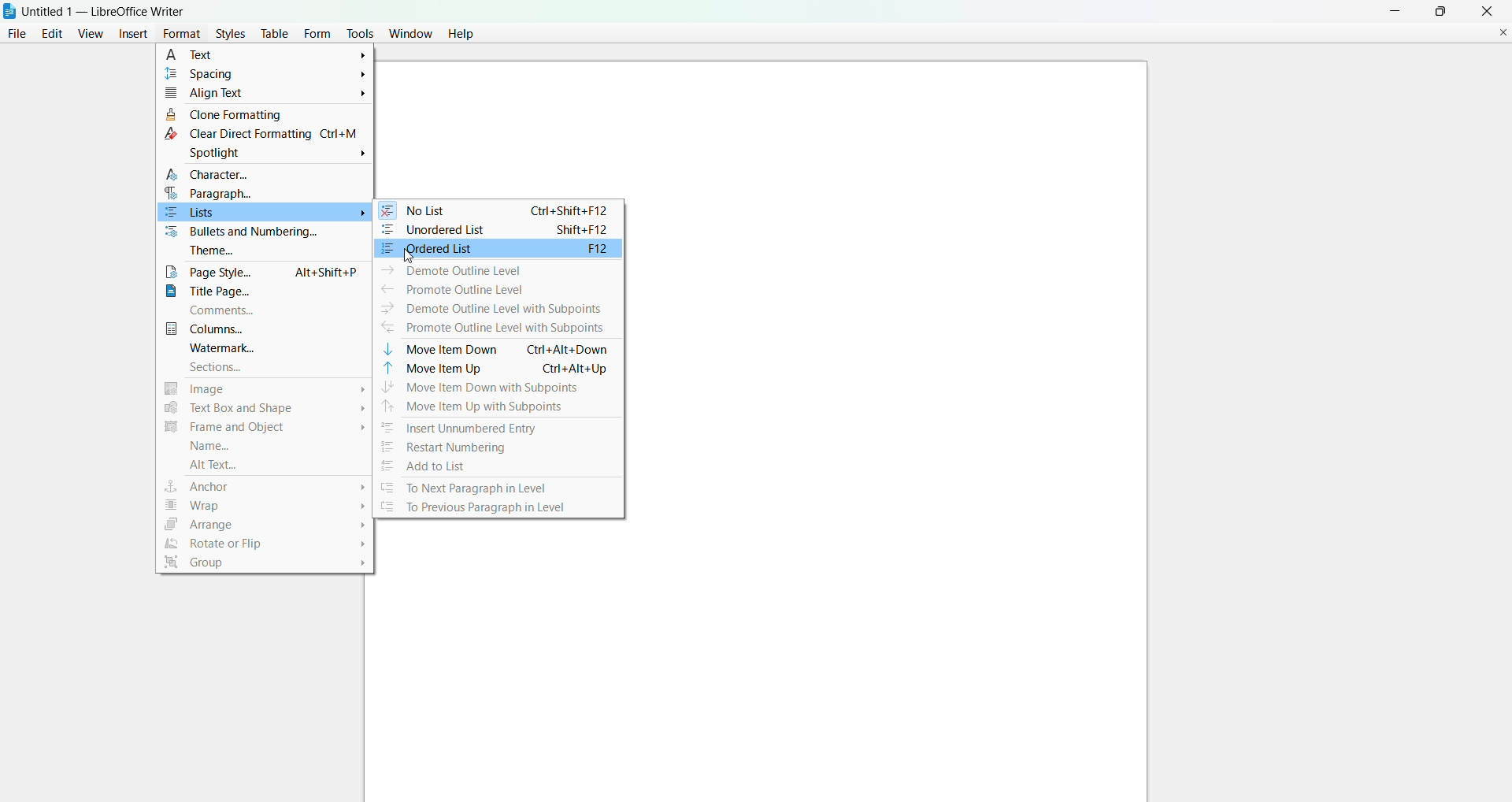 The width and height of the screenshot is (1512, 802). Describe the element at coordinates (265, 567) in the screenshot. I see `group` at that location.